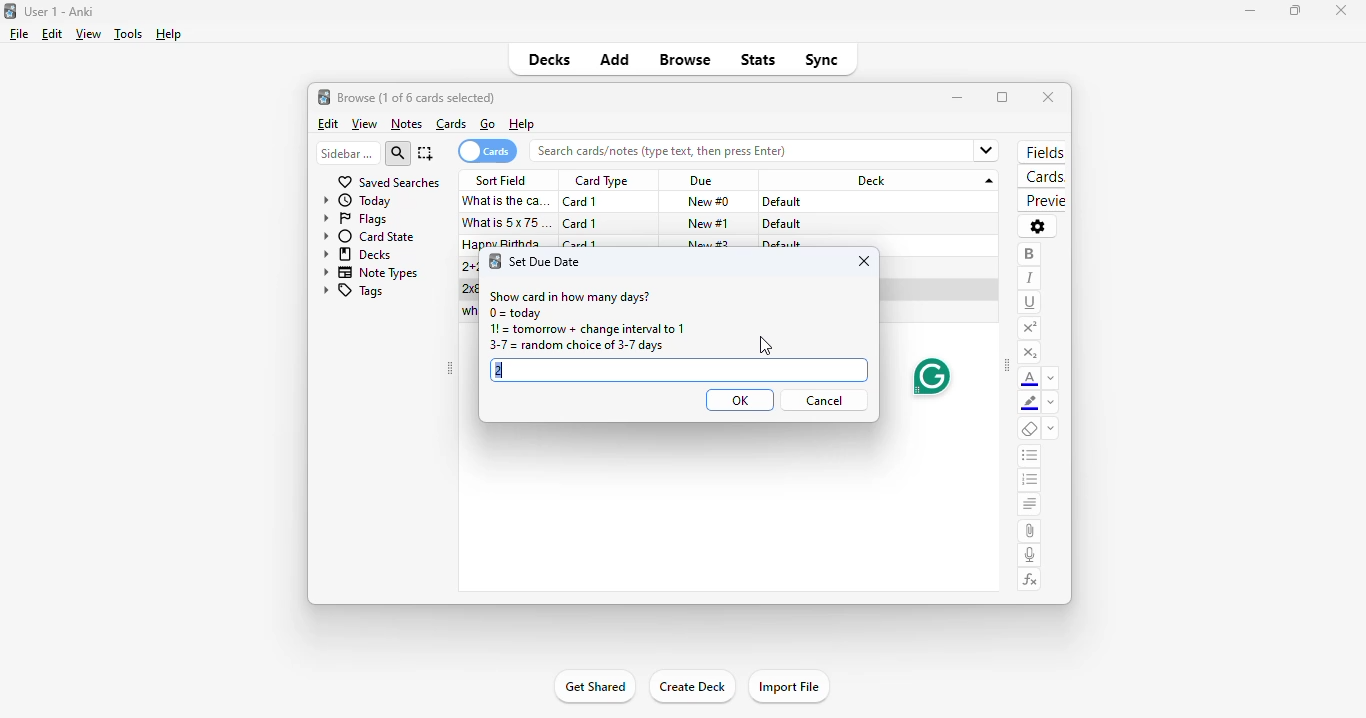  I want to click on show card in how many days?, so click(569, 296).